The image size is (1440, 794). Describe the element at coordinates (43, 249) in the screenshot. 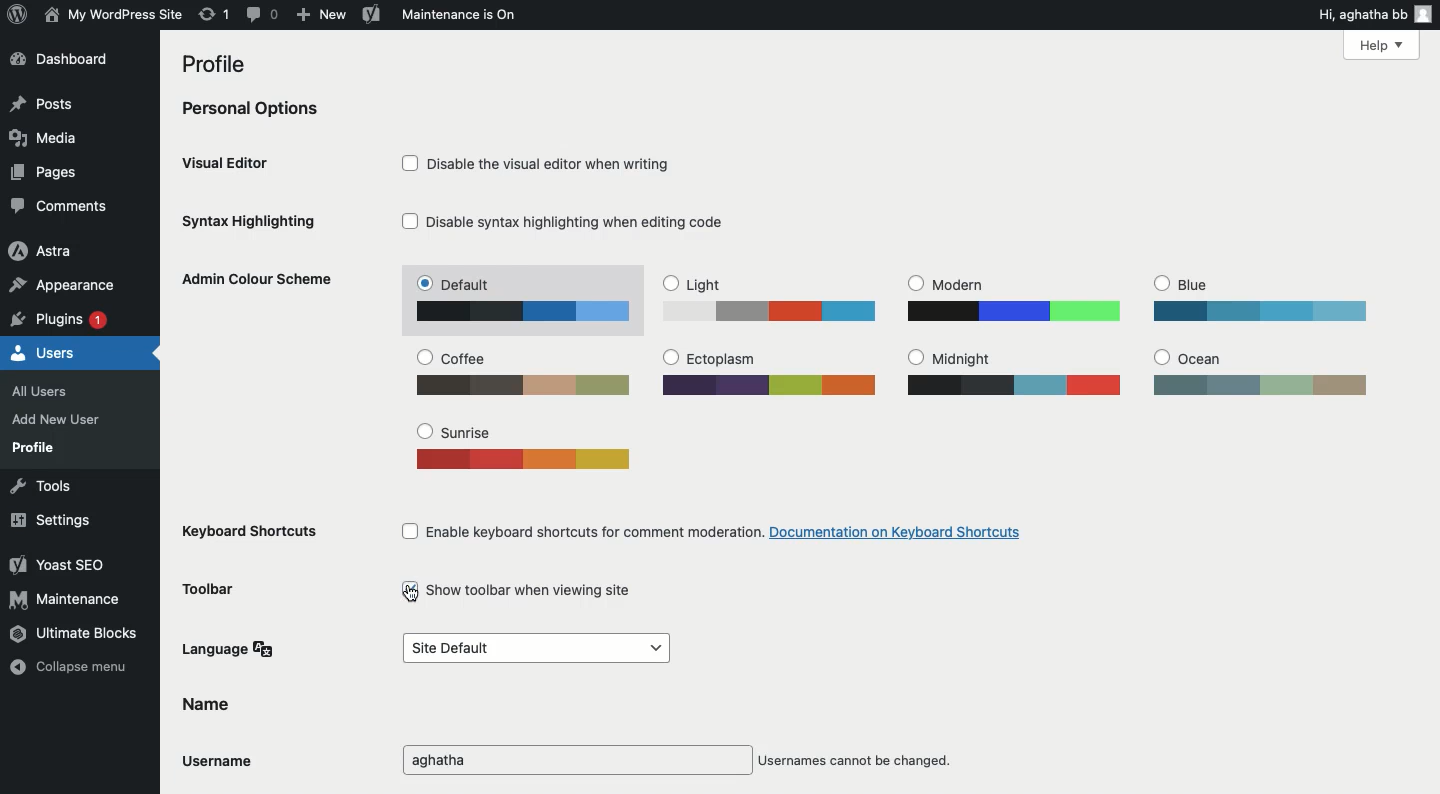

I see `Astra` at that location.